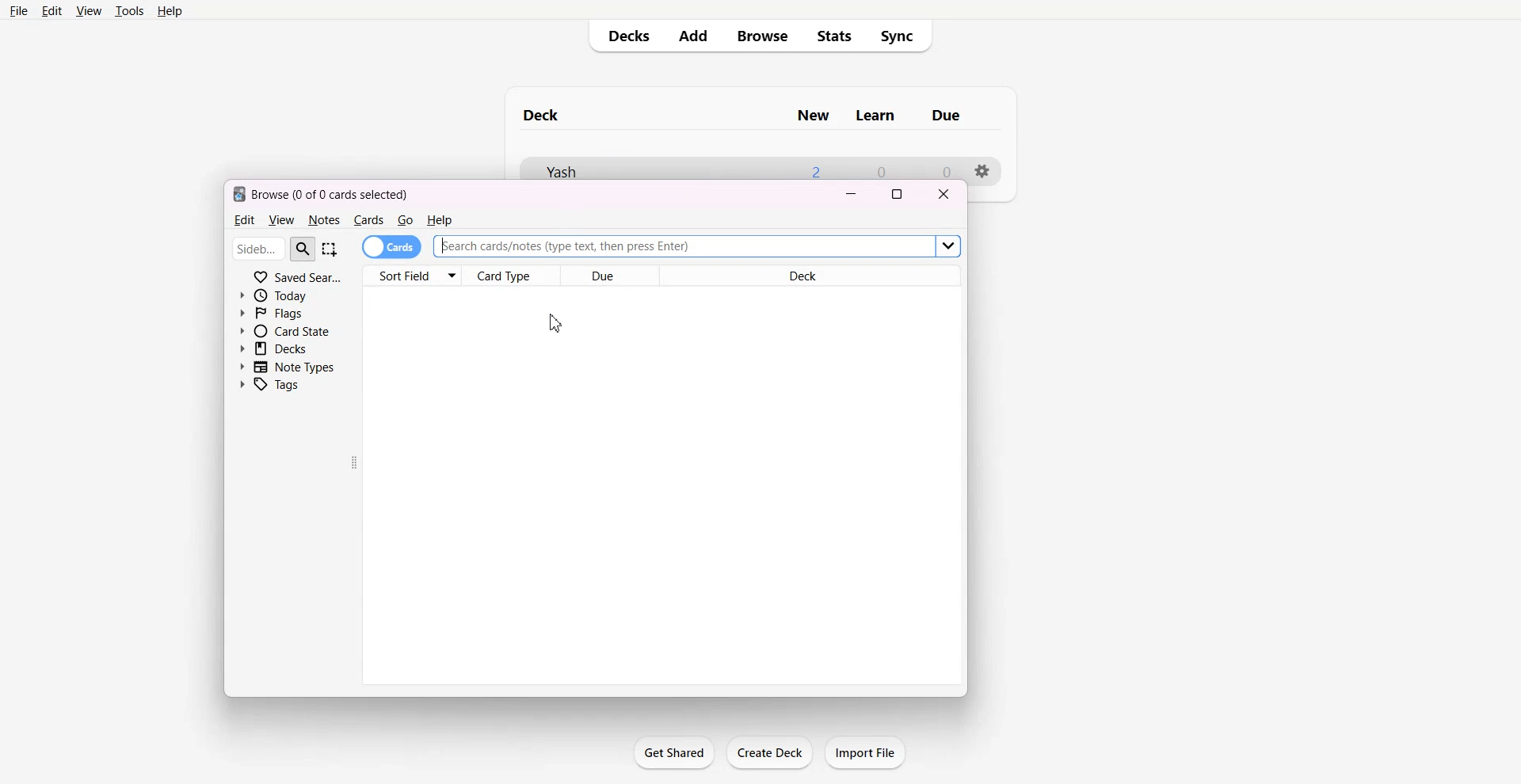 Image resolution: width=1521 pixels, height=784 pixels. What do you see at coordinates (243, 220) in the screenshot?
I see `Edit` at bounding box center [243, 220].